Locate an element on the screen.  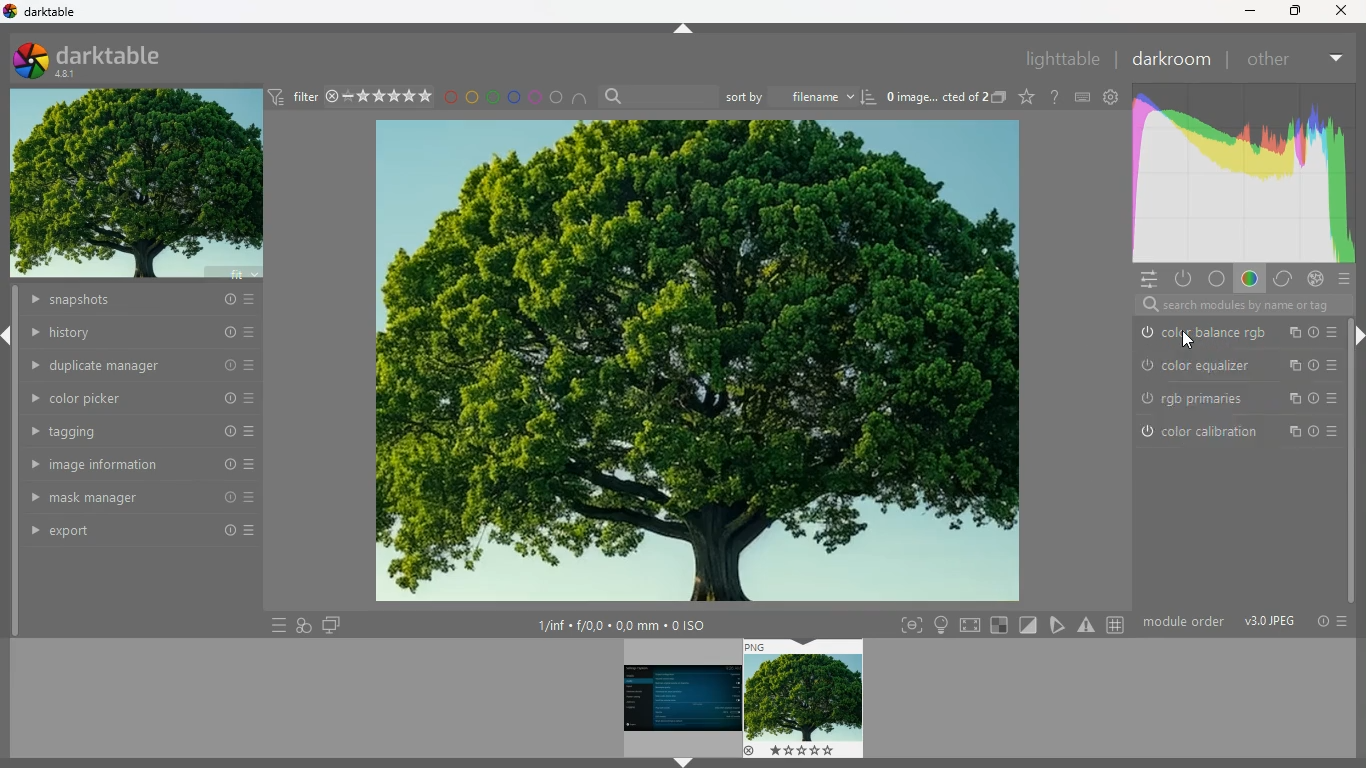
blue is located at coordinates (514, 97).